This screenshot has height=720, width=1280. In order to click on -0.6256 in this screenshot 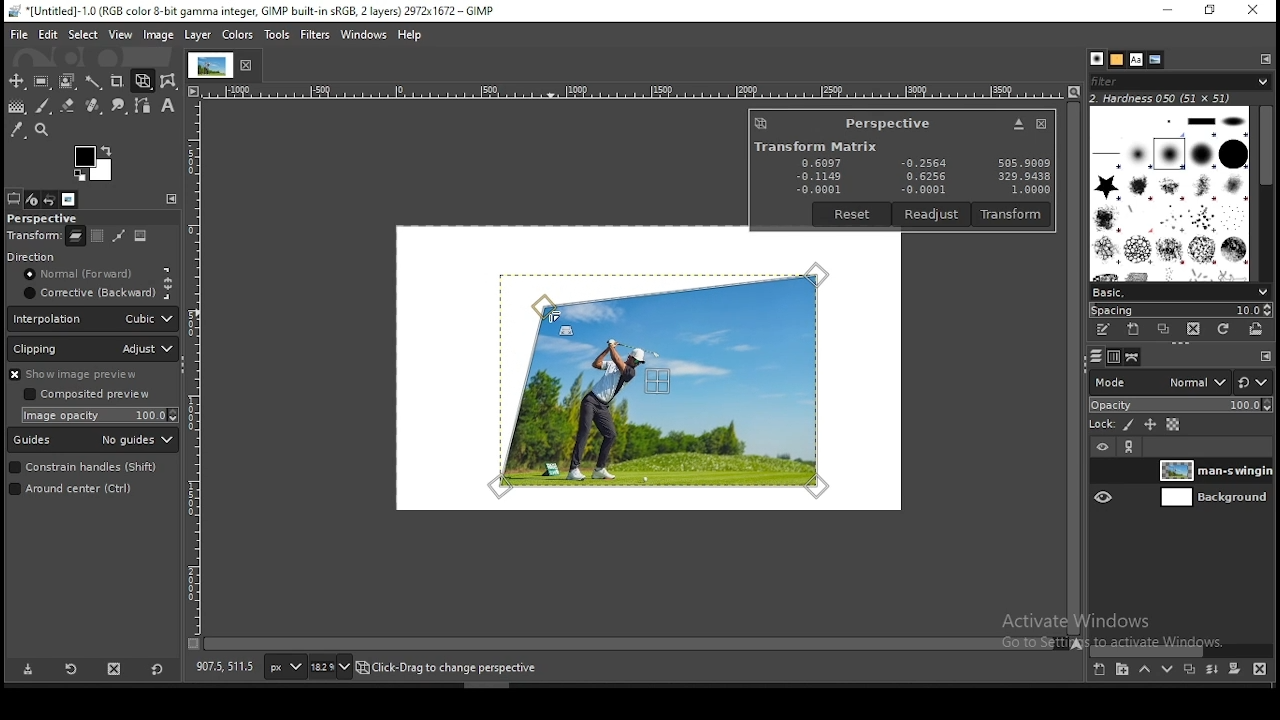, I will do `click(922, 177)`.